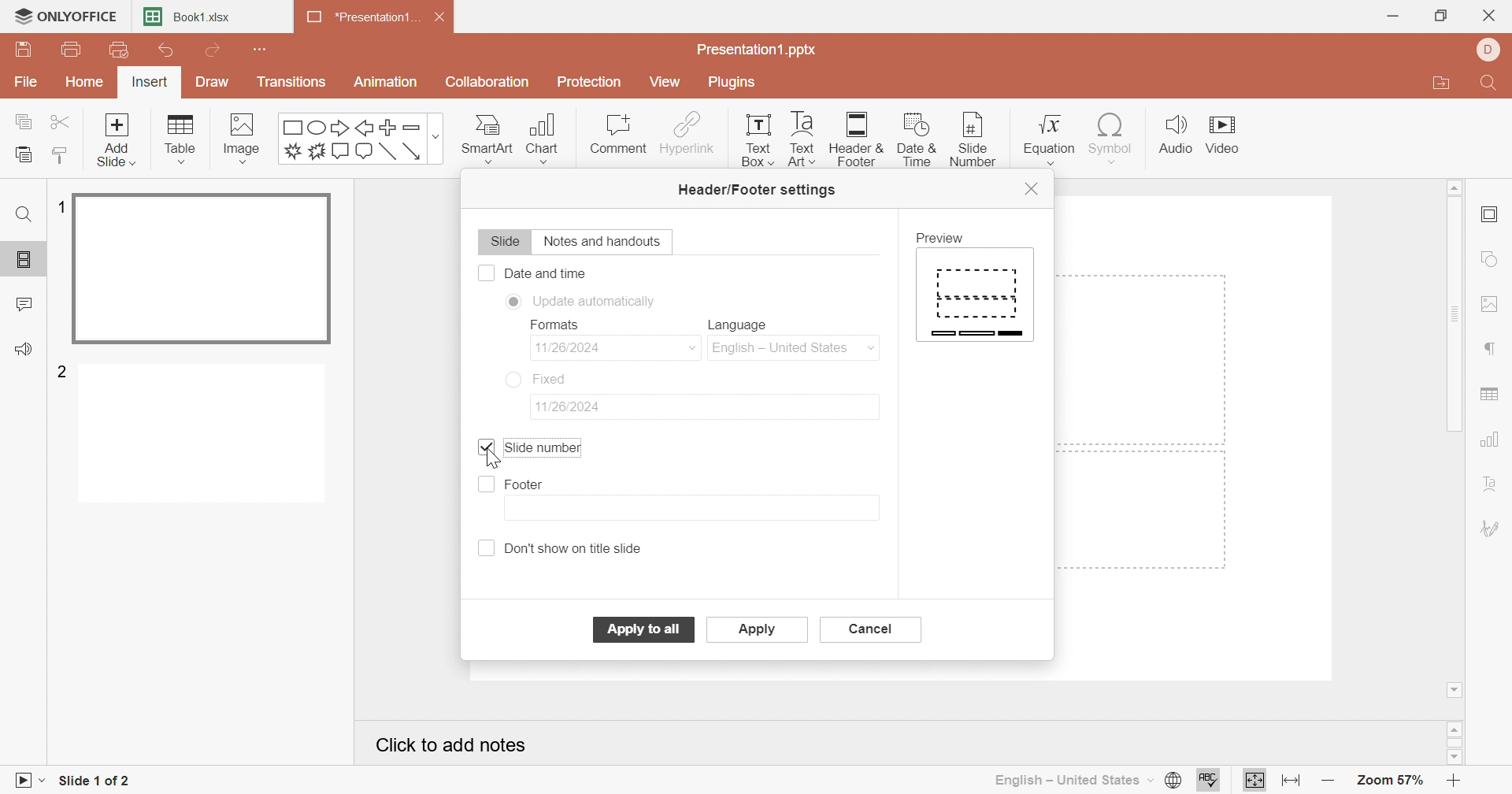 Image resolution: width=1512 pixels, height=794 pixels. I want to click on Header & Footer, so click(858, 141).